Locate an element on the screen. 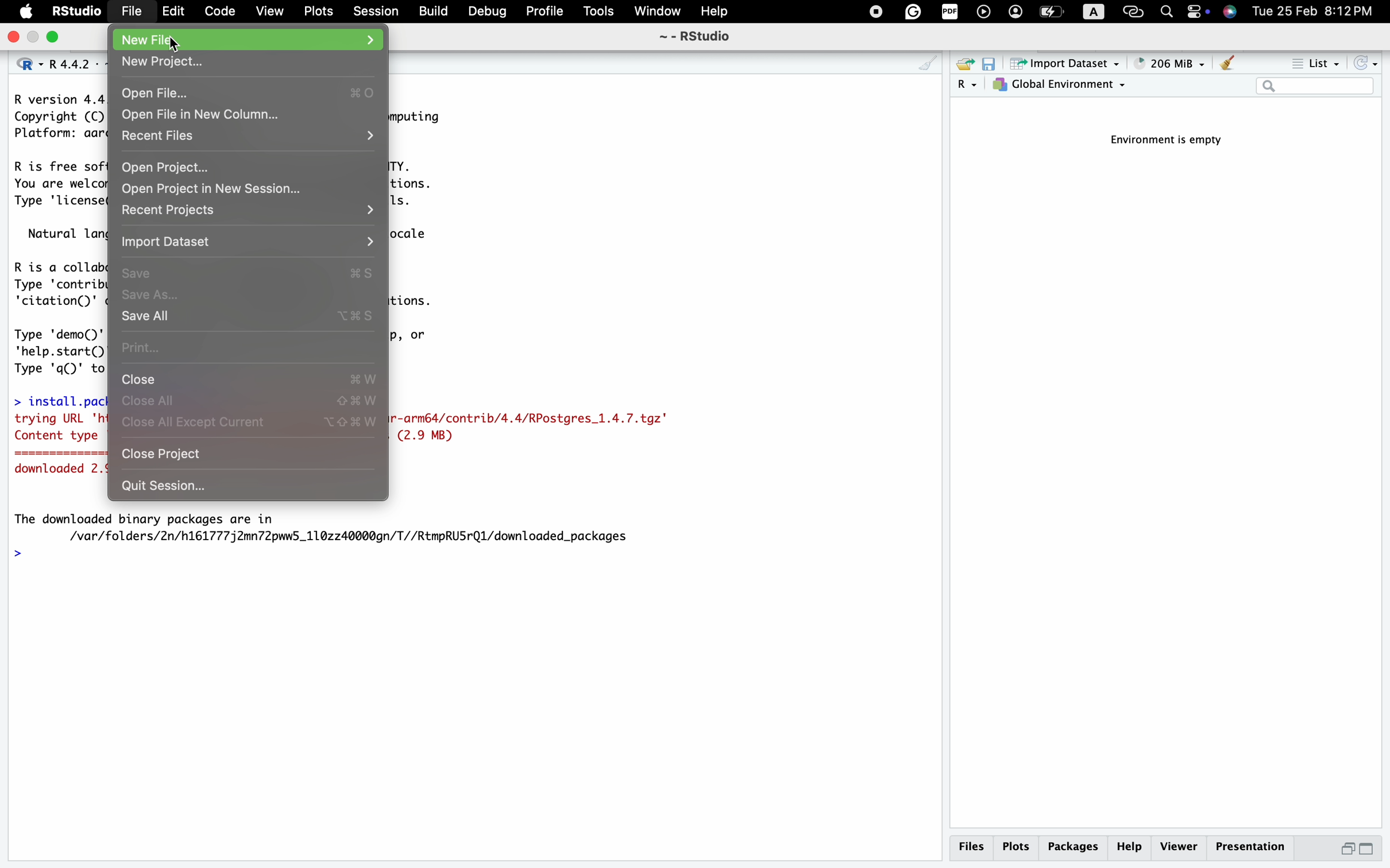 Image resolution: width=1390 pixels, height=868 pixels. open file in new column is located at coordinates (211, 115).